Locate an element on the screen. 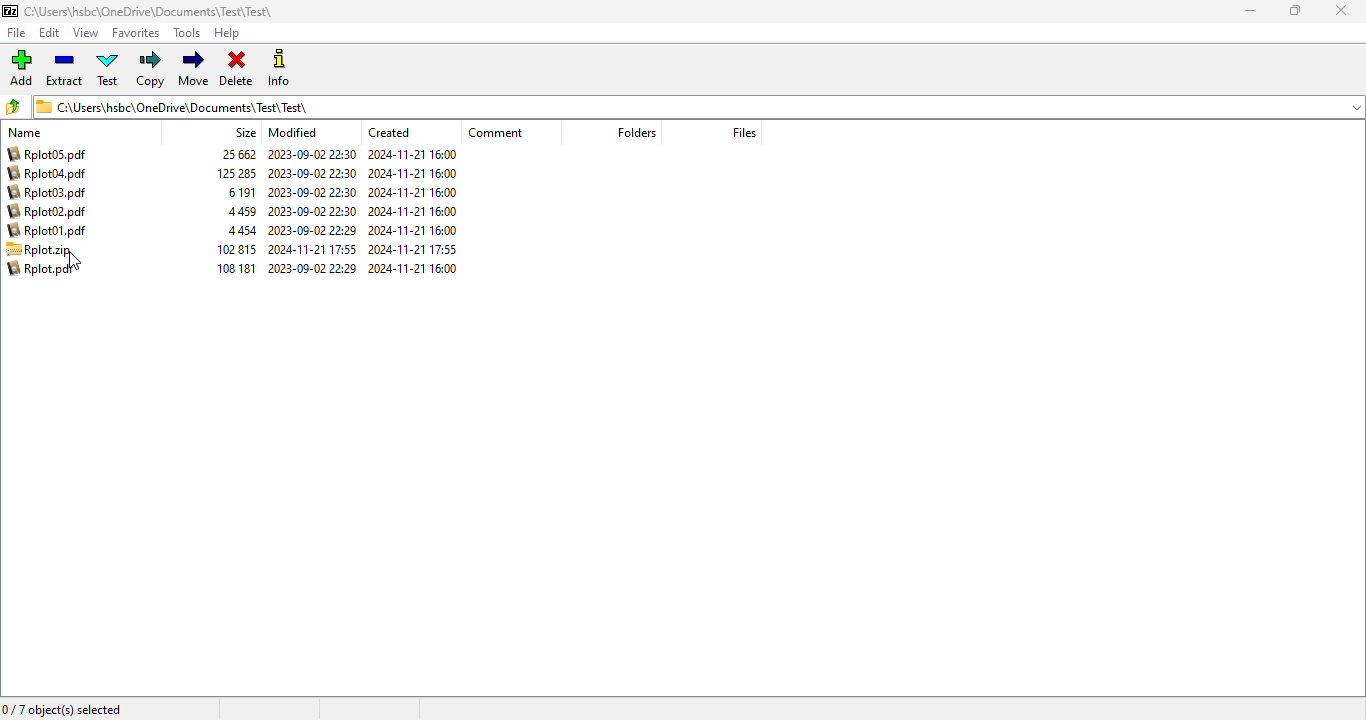 The width and height of the screenshot is (1366, 720). file is located at coordinates (16, 32).